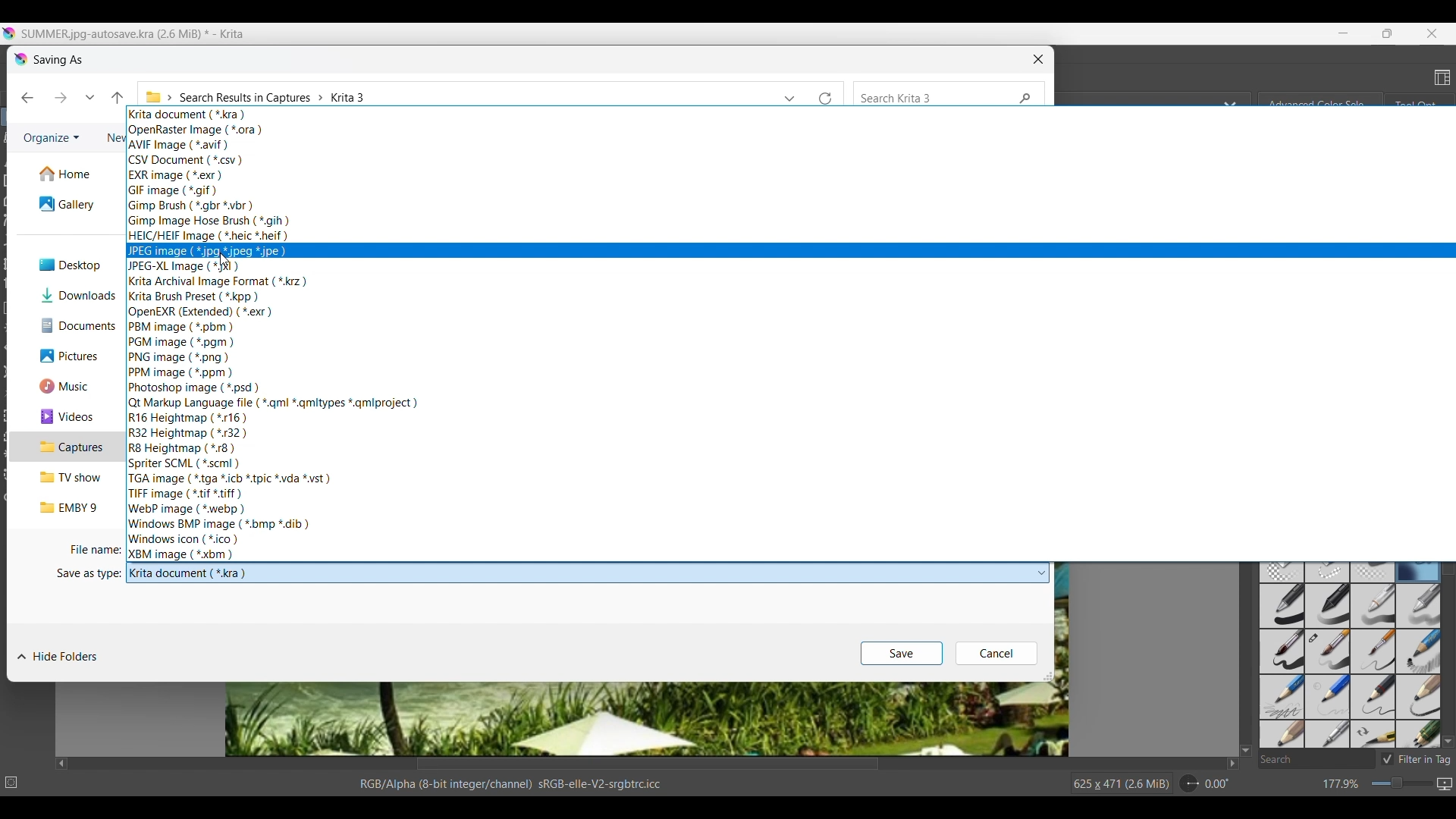 The height and width of the screenshot is (819, 1456). Describe the element at coordinates (64, 416) in the screenshot. I see `Videos folder` at that location.